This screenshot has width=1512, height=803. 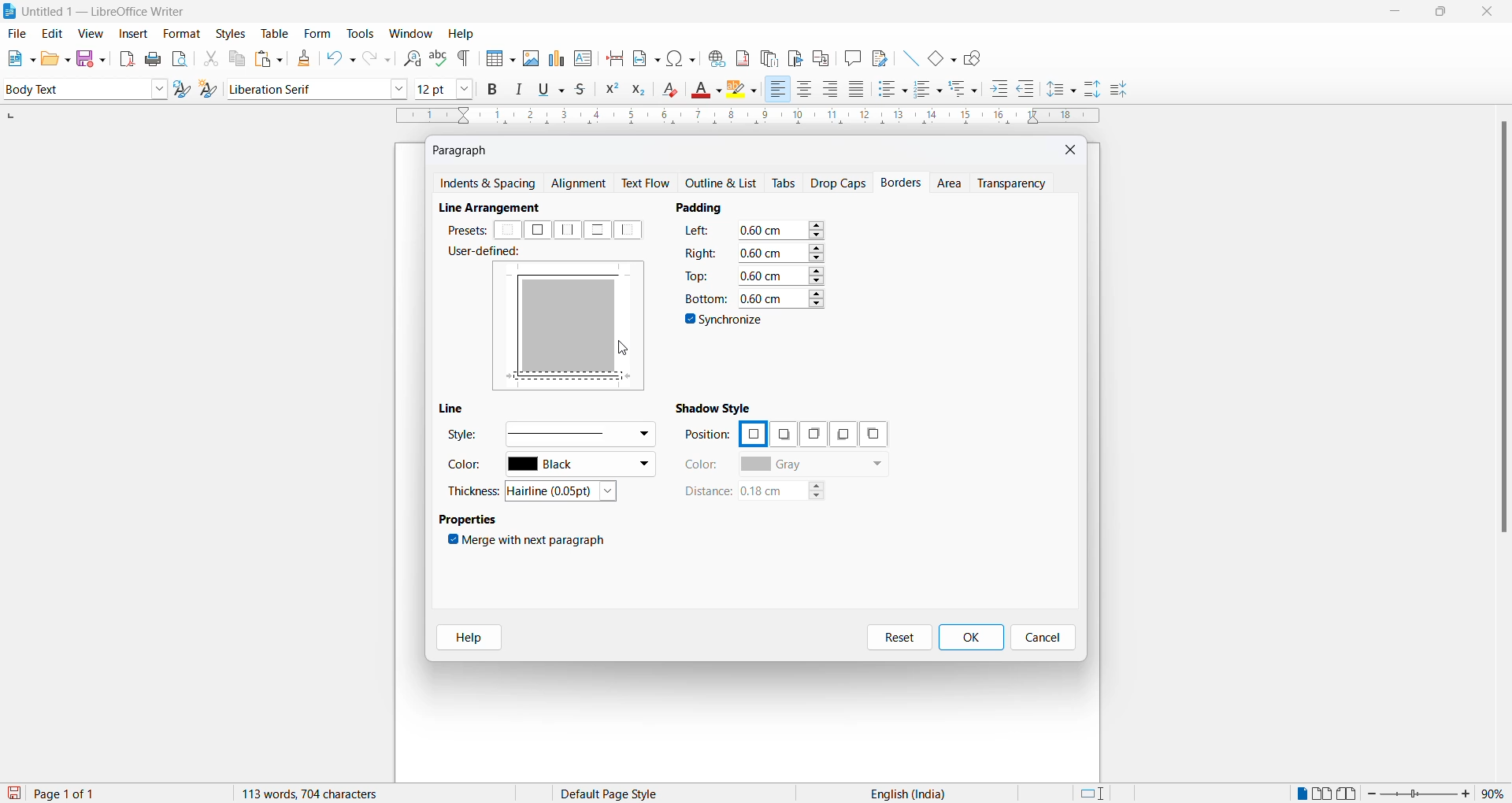 What do you see at coordinates (1093, 90) in the screenshot?
I see `increase paragraph` at bounding box center [1093, 90].